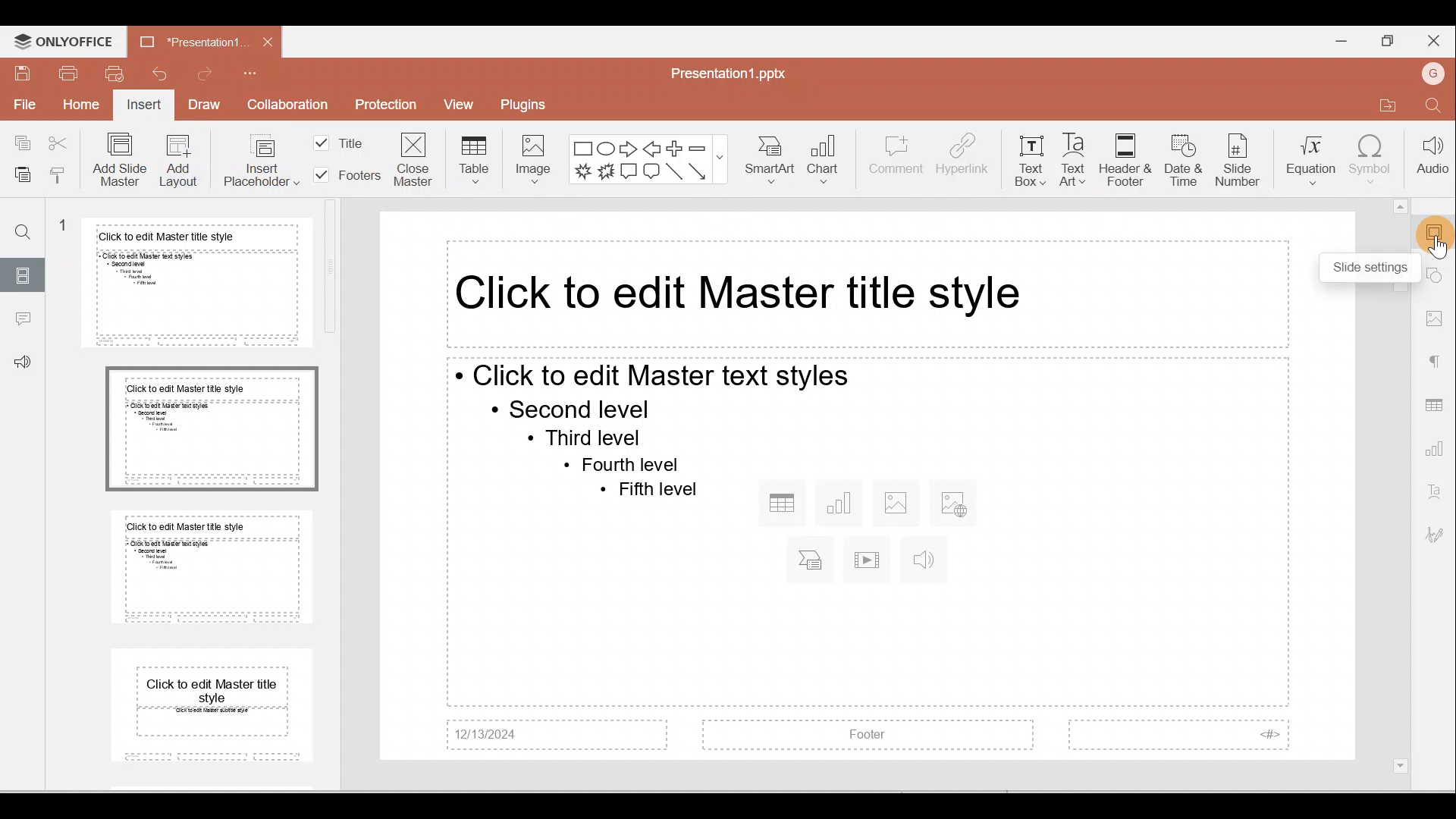  What do you see at coordinates (896, 159) in the screenshot?
I see `Comment` at bounding box center [896, 159].